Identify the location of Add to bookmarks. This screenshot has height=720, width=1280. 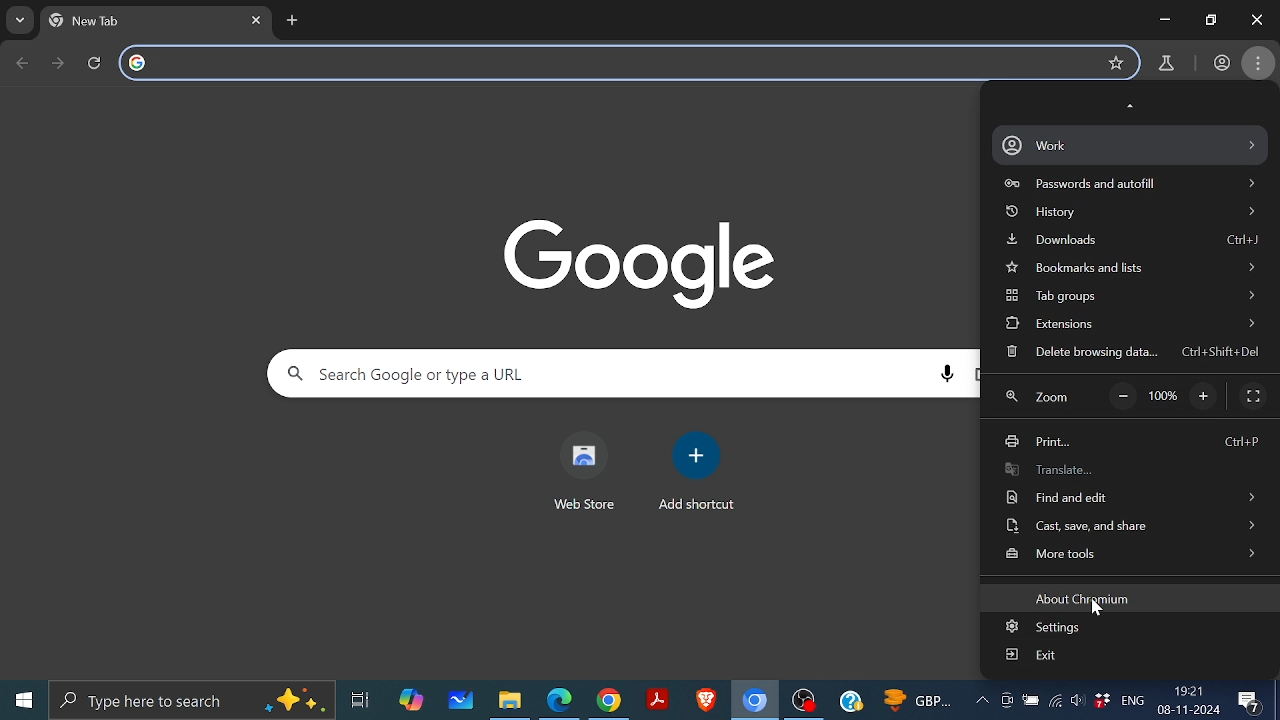
(1115, 64).